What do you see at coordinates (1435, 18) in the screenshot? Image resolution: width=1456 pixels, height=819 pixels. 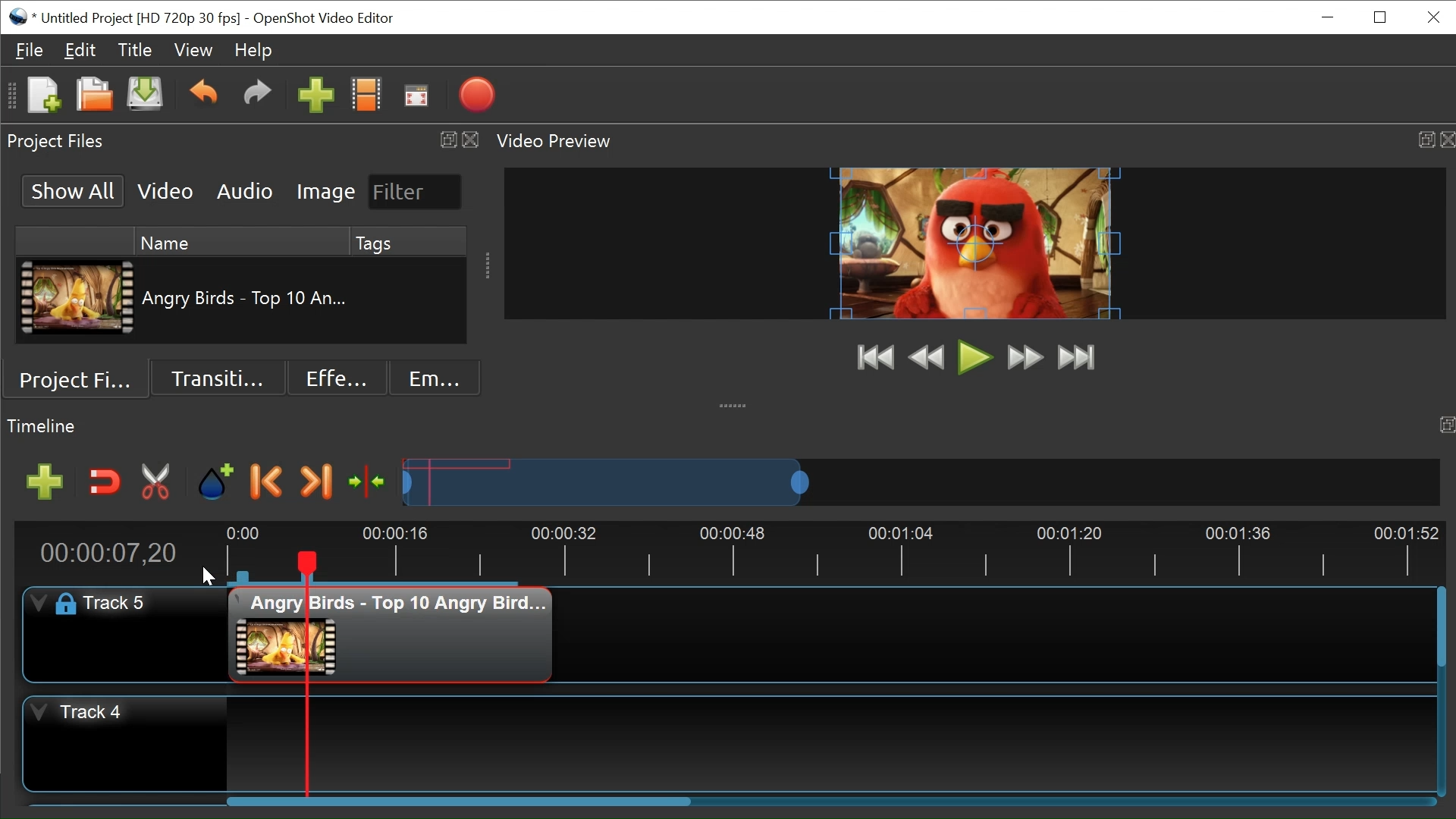 I see `Close` at bounding box center [1435, 18].